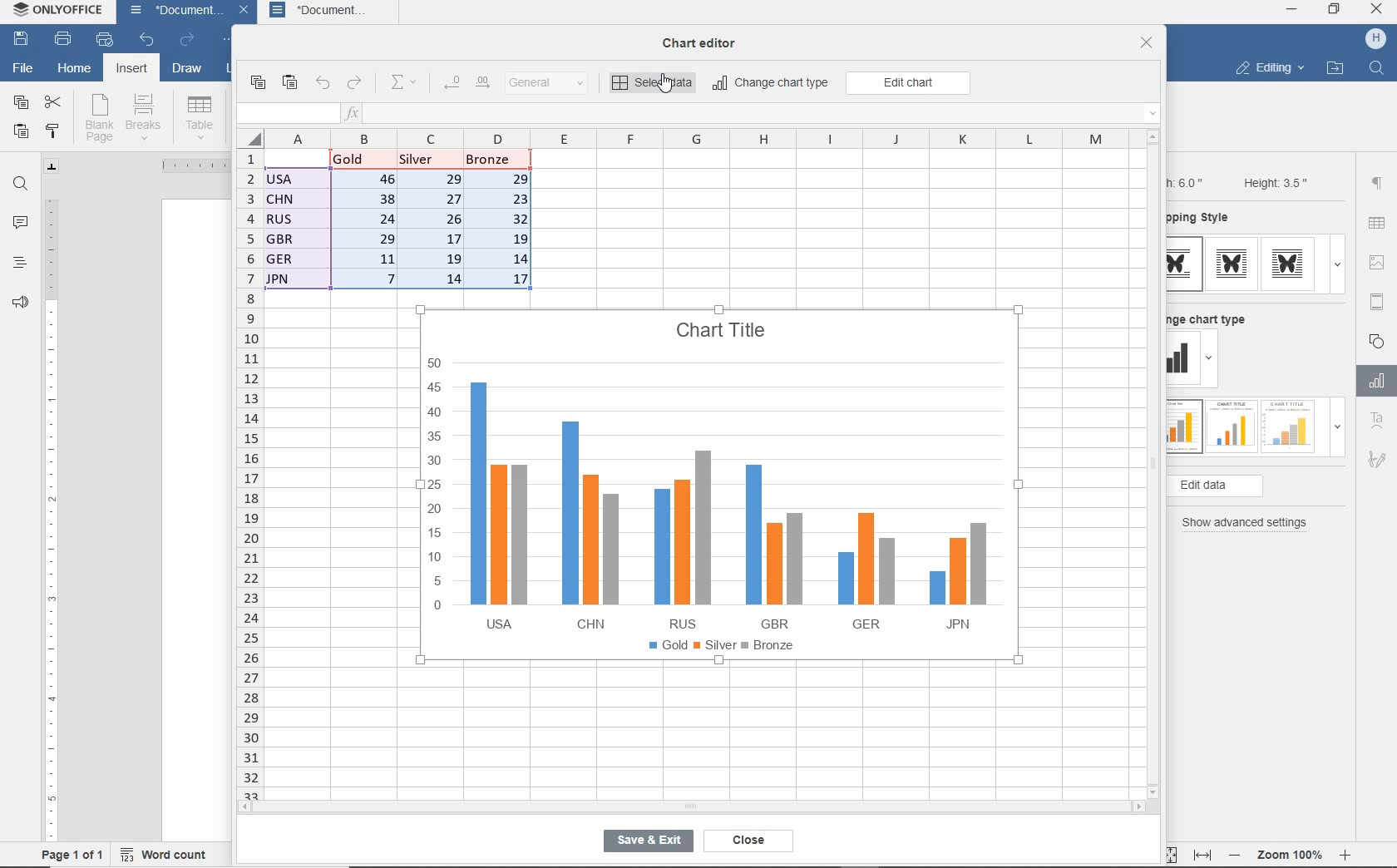  Describe the element at coordinates (186, 41) in the screenshot. I see `redo` at that location.